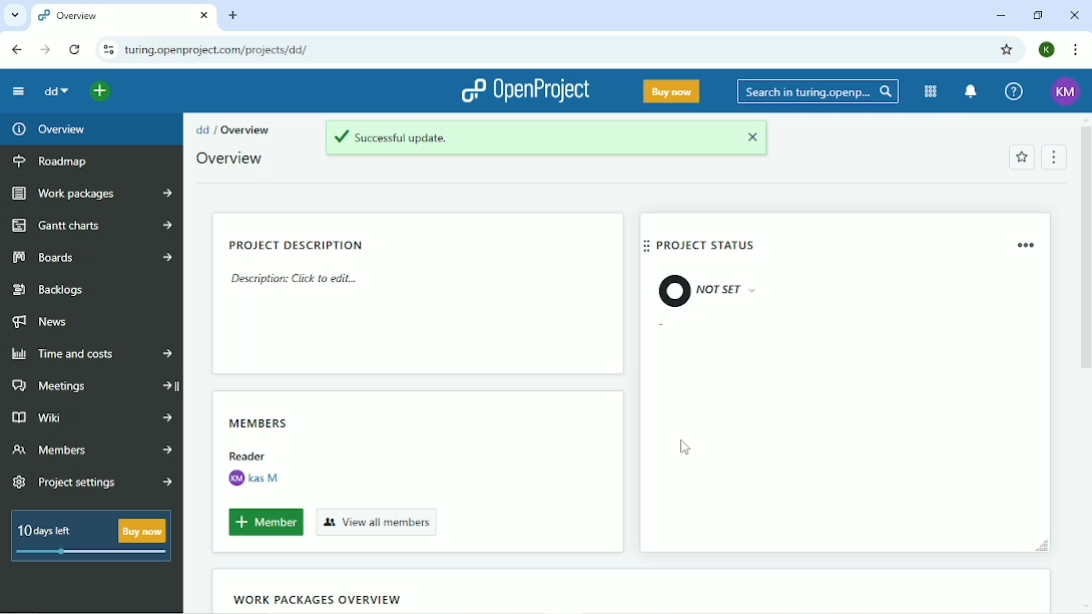 Image resolution: width=1092 pixels, height=614 pixels. Describe the element at coordinates (1029, 245) in the screenshot. I see `remove widget` at that location.